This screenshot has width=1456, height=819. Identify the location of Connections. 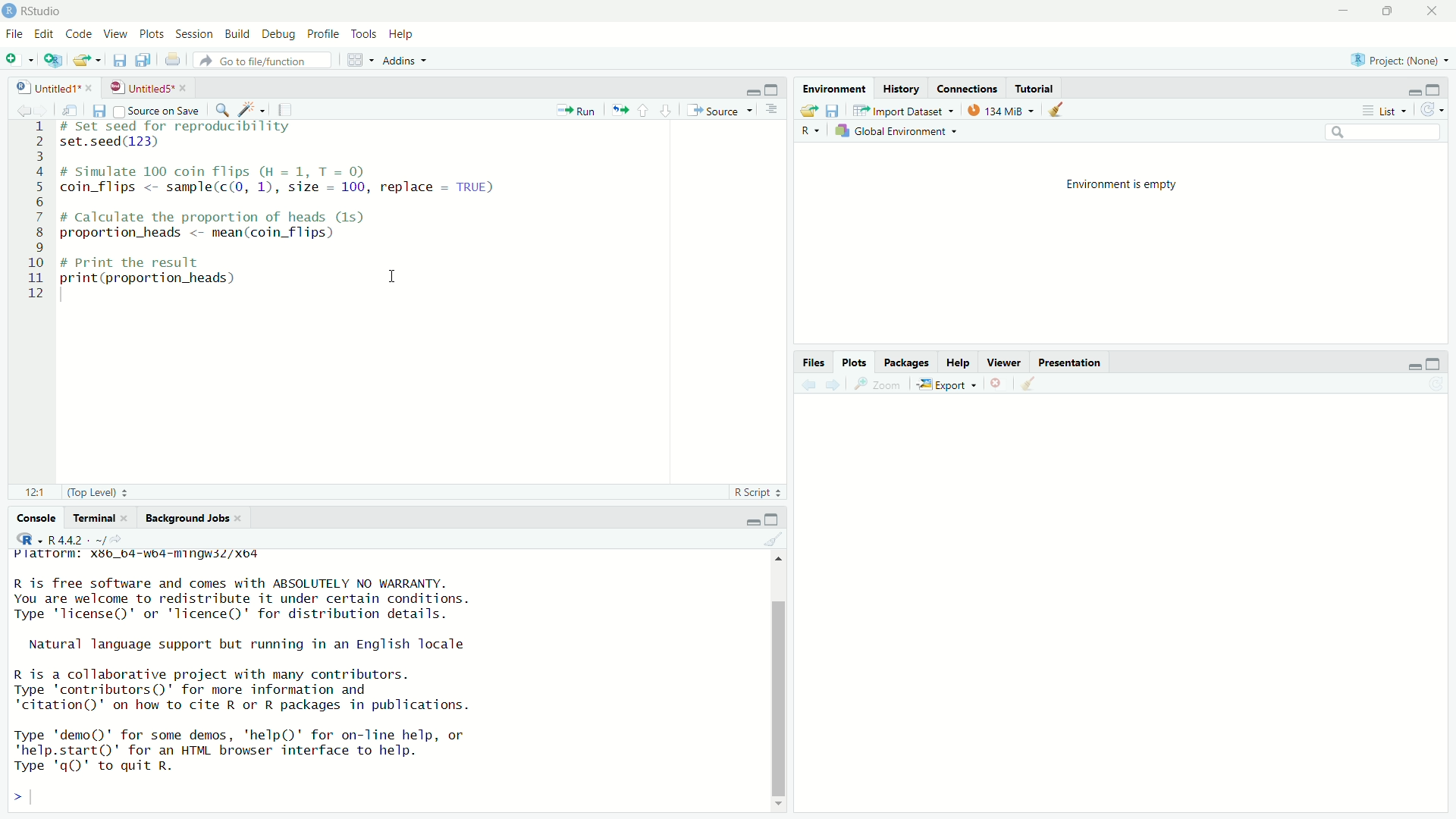
(968, 88).